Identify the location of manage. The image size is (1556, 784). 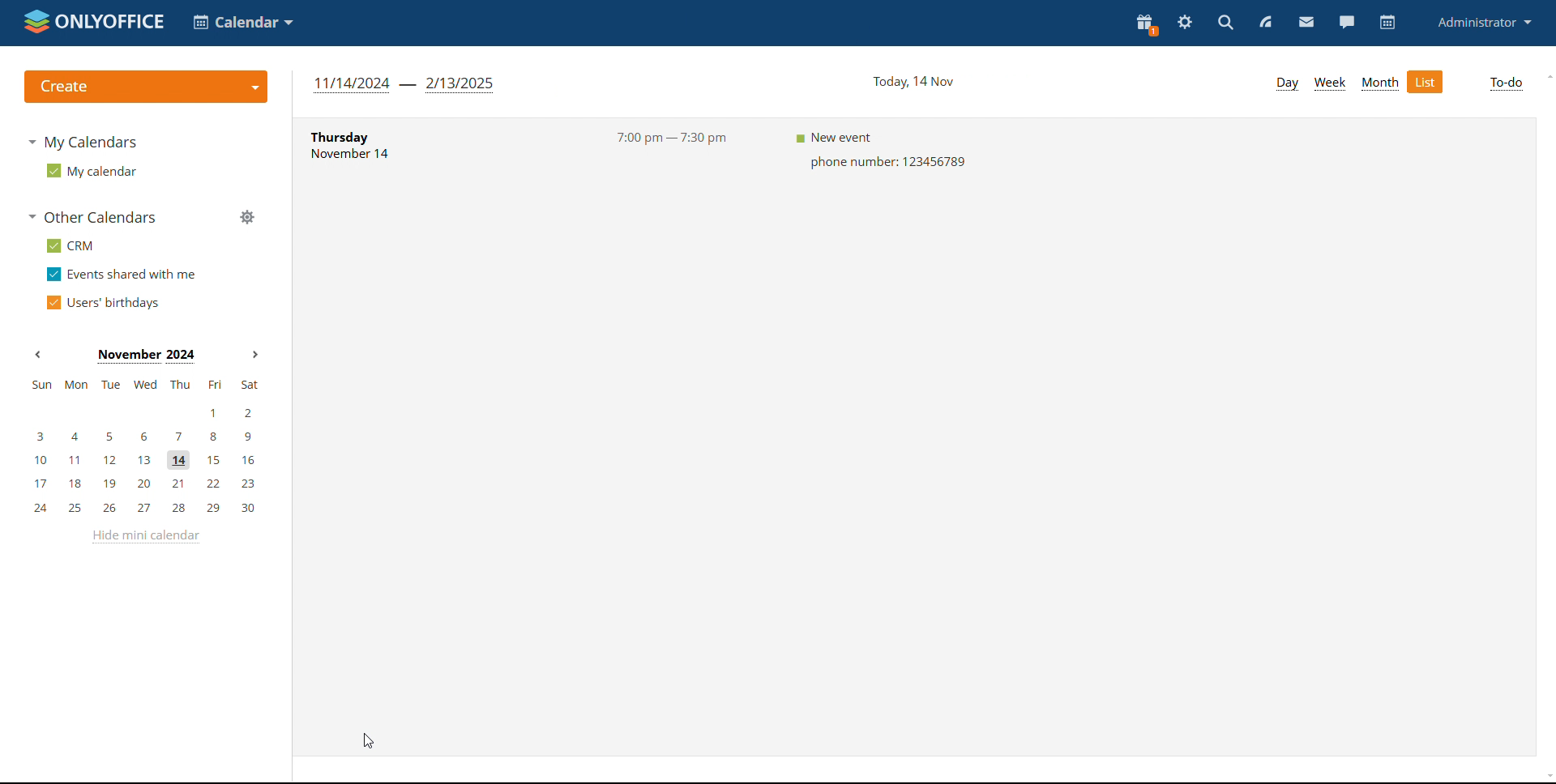
(247, 219).